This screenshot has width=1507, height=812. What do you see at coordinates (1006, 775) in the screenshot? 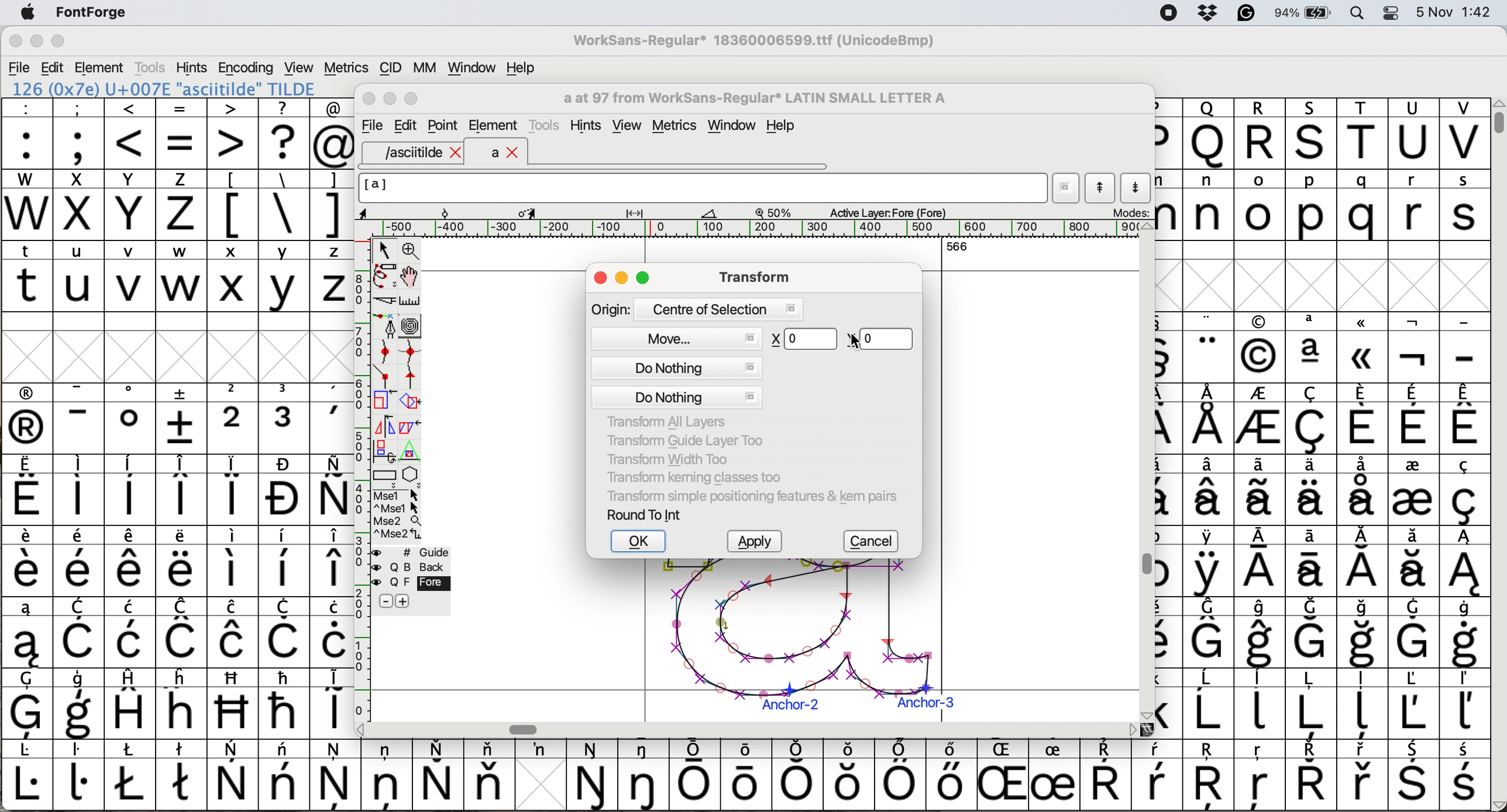
I see `` at bounding box center [1006, 775].